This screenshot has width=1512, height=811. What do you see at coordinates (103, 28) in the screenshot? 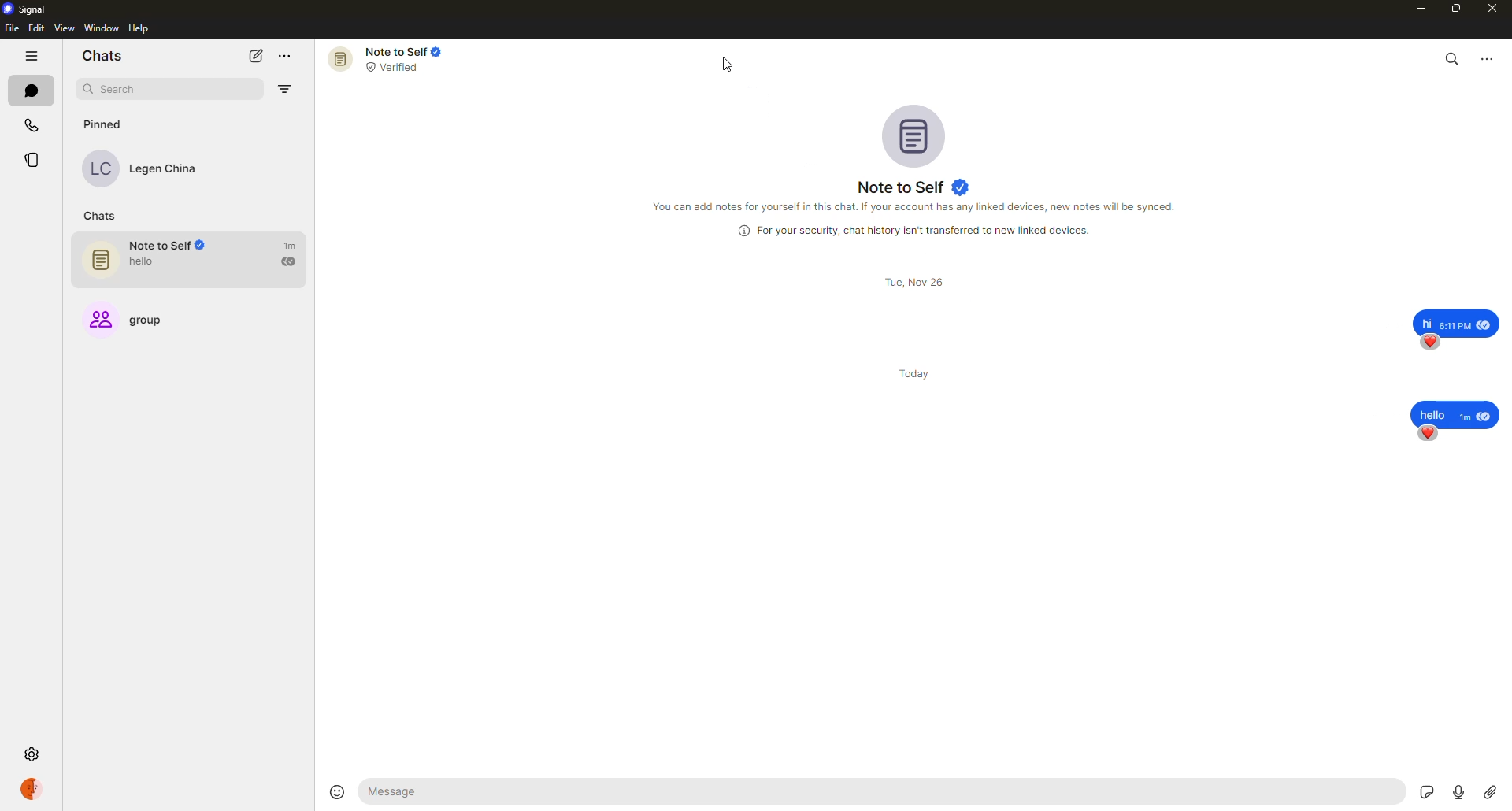
I see `window` at bounding box center [103, 28].